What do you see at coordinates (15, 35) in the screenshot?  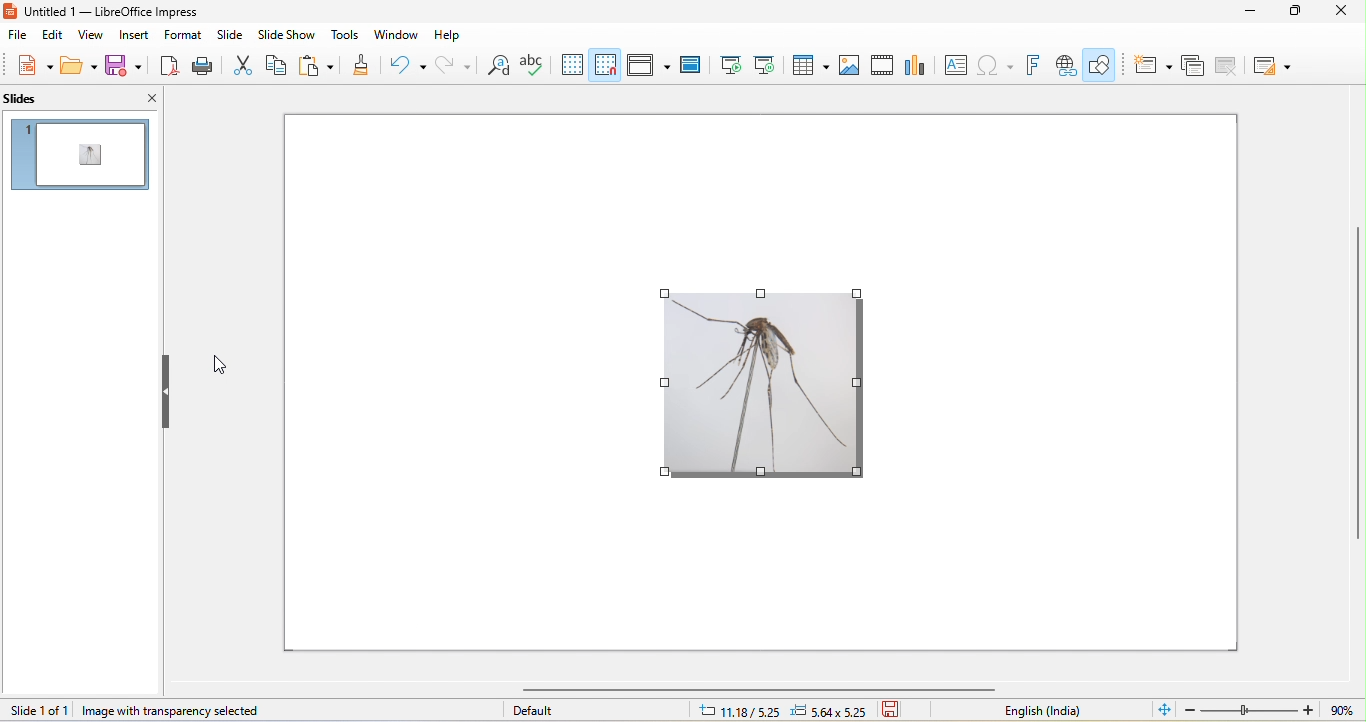 I see `file` at bounding box center [15, 35].